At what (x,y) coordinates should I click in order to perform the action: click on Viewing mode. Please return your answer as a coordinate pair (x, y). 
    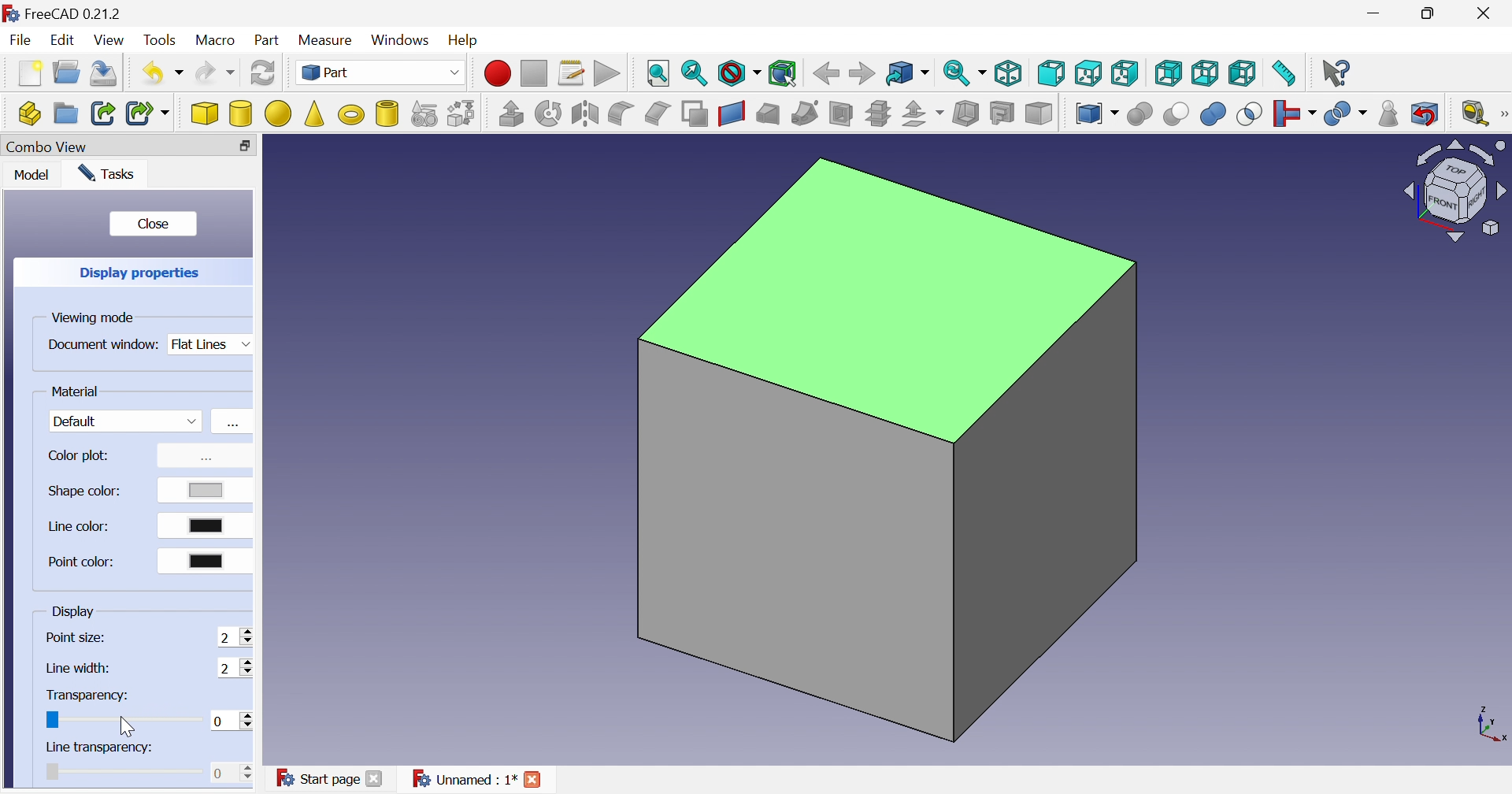
    Looking at the image, I should click on (93, 317).